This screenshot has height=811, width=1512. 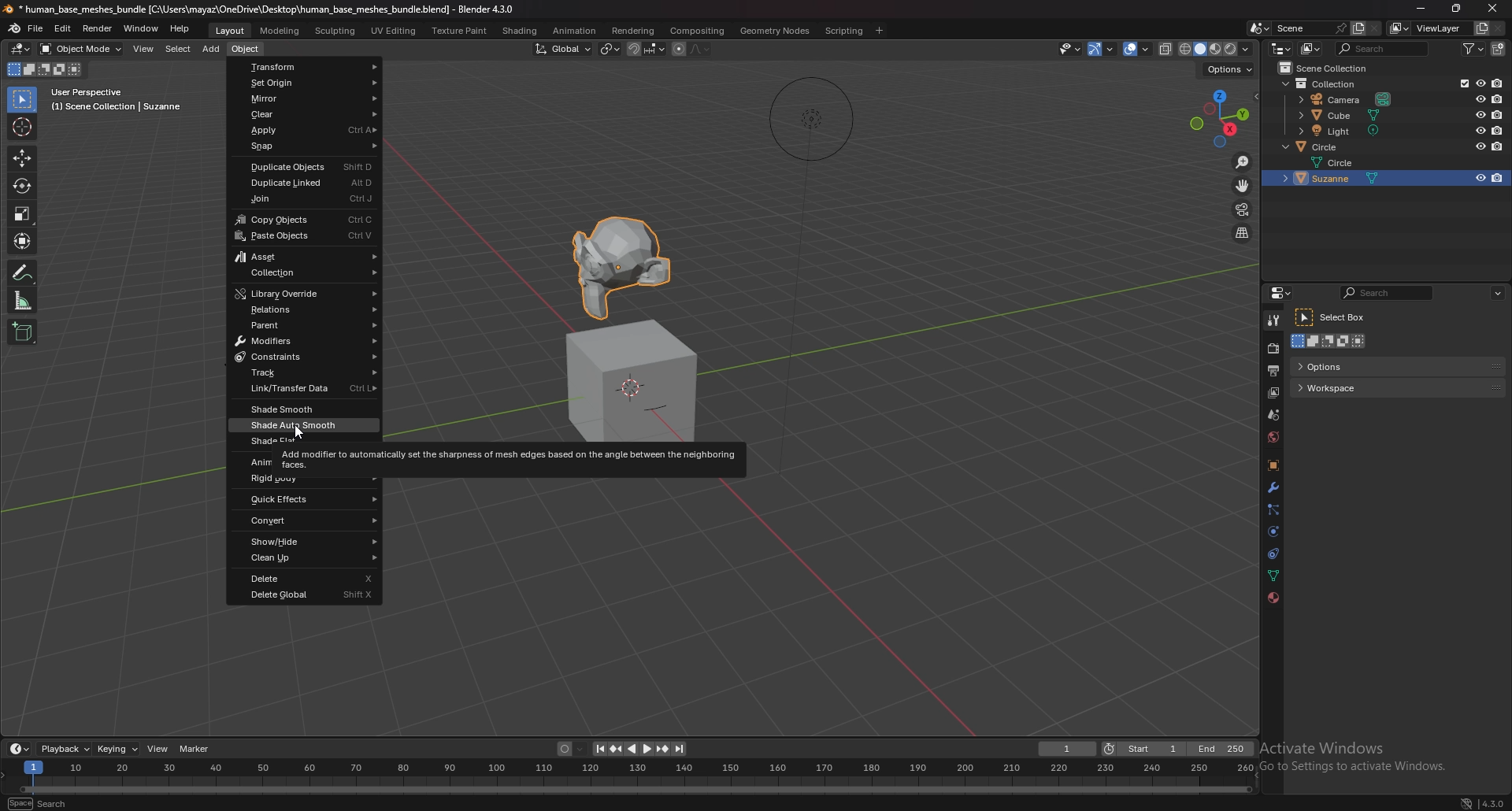 I want to click on hide in viewport, so click(x=1479, y=99).